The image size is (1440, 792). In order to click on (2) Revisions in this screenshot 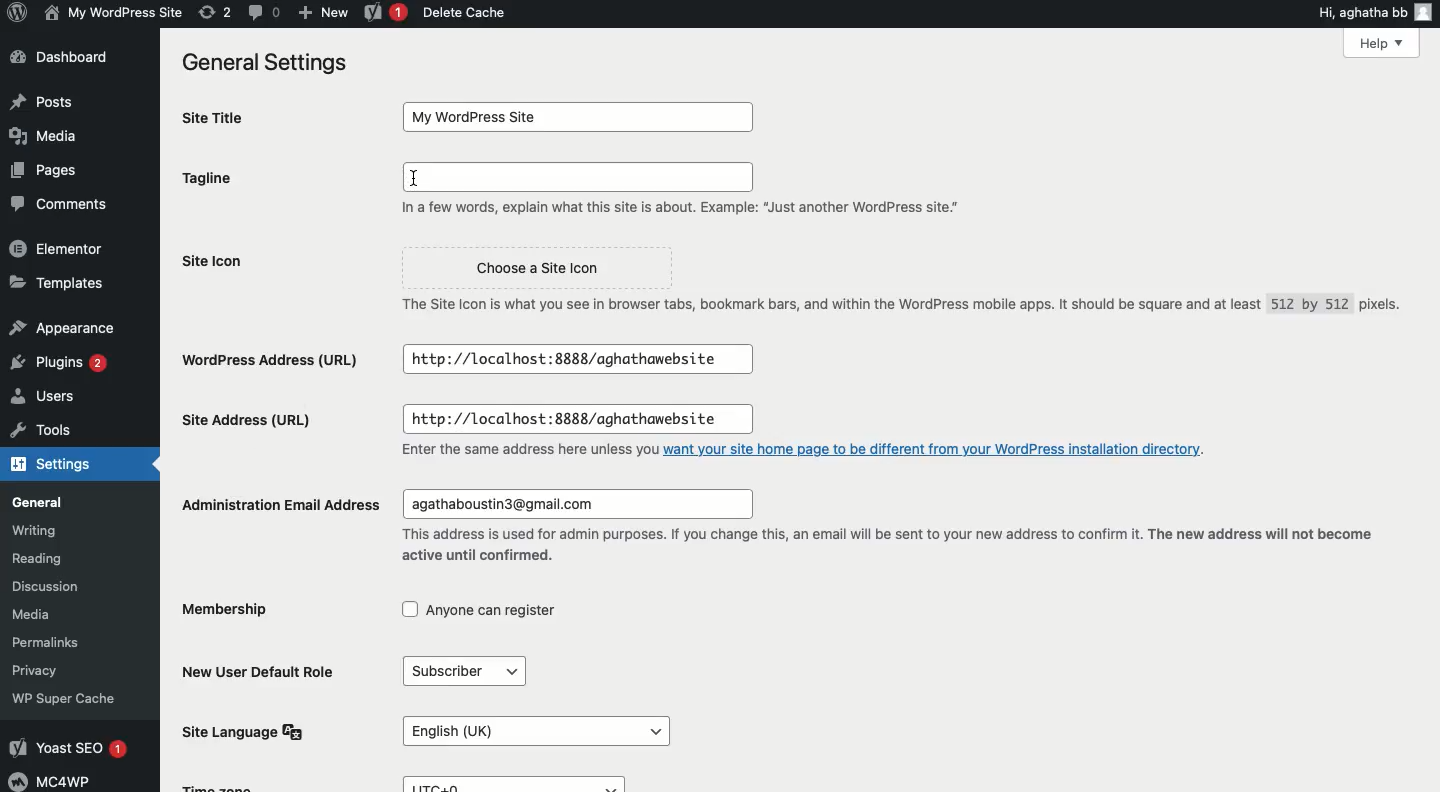, I will do `click(212, 11)`.